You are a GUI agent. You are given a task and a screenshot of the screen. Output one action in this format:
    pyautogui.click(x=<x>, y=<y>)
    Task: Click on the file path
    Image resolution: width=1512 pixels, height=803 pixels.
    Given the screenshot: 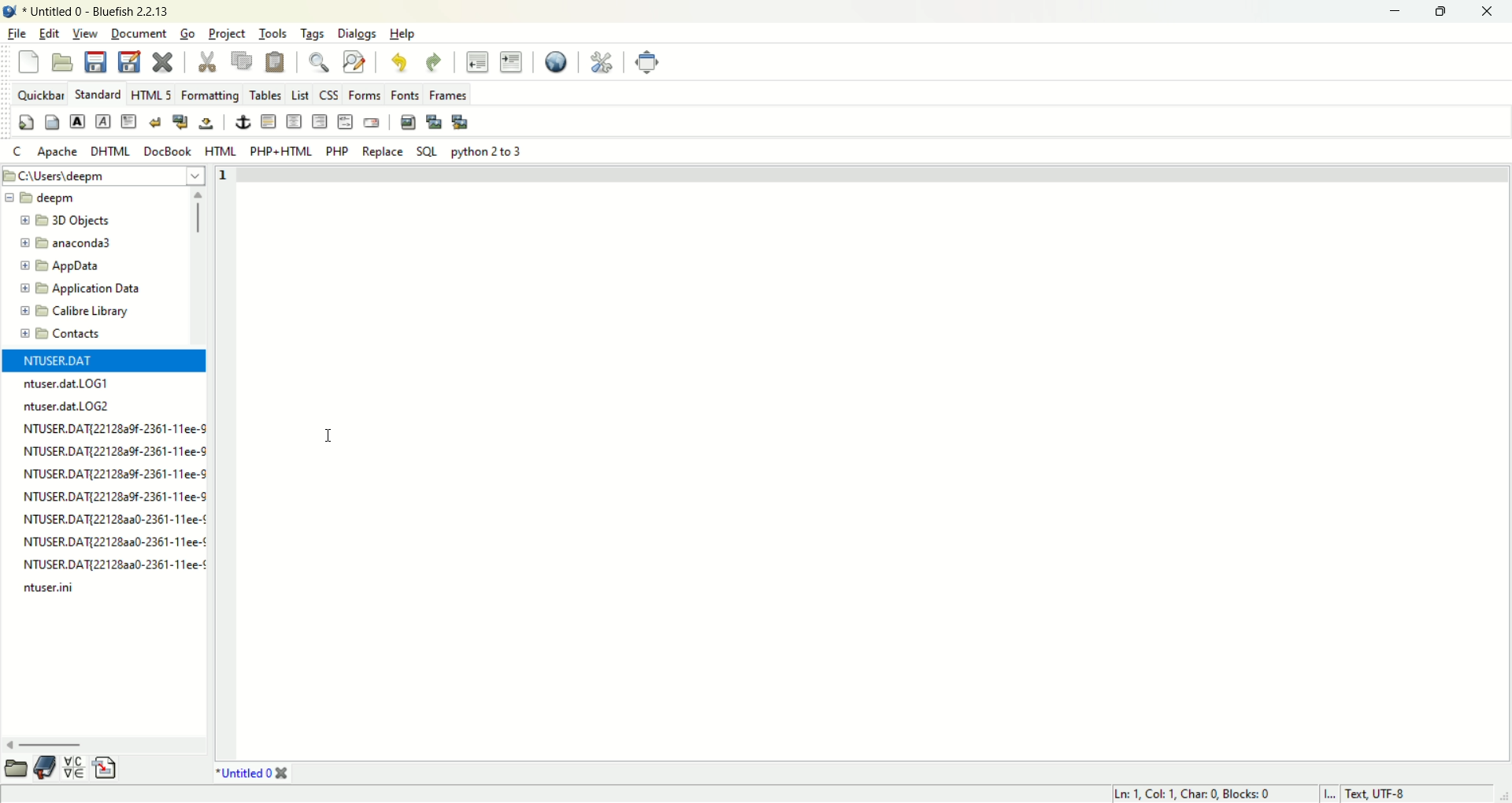 What is the action you would take?
    pyautogui.click(x=105, y=175)
    